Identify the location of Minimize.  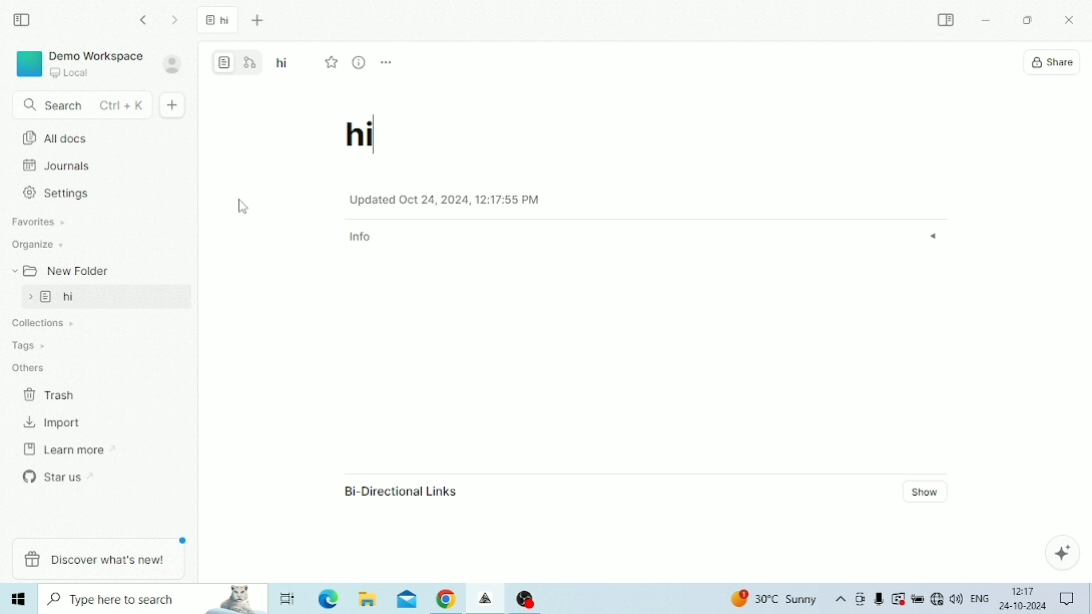
(986, 21).